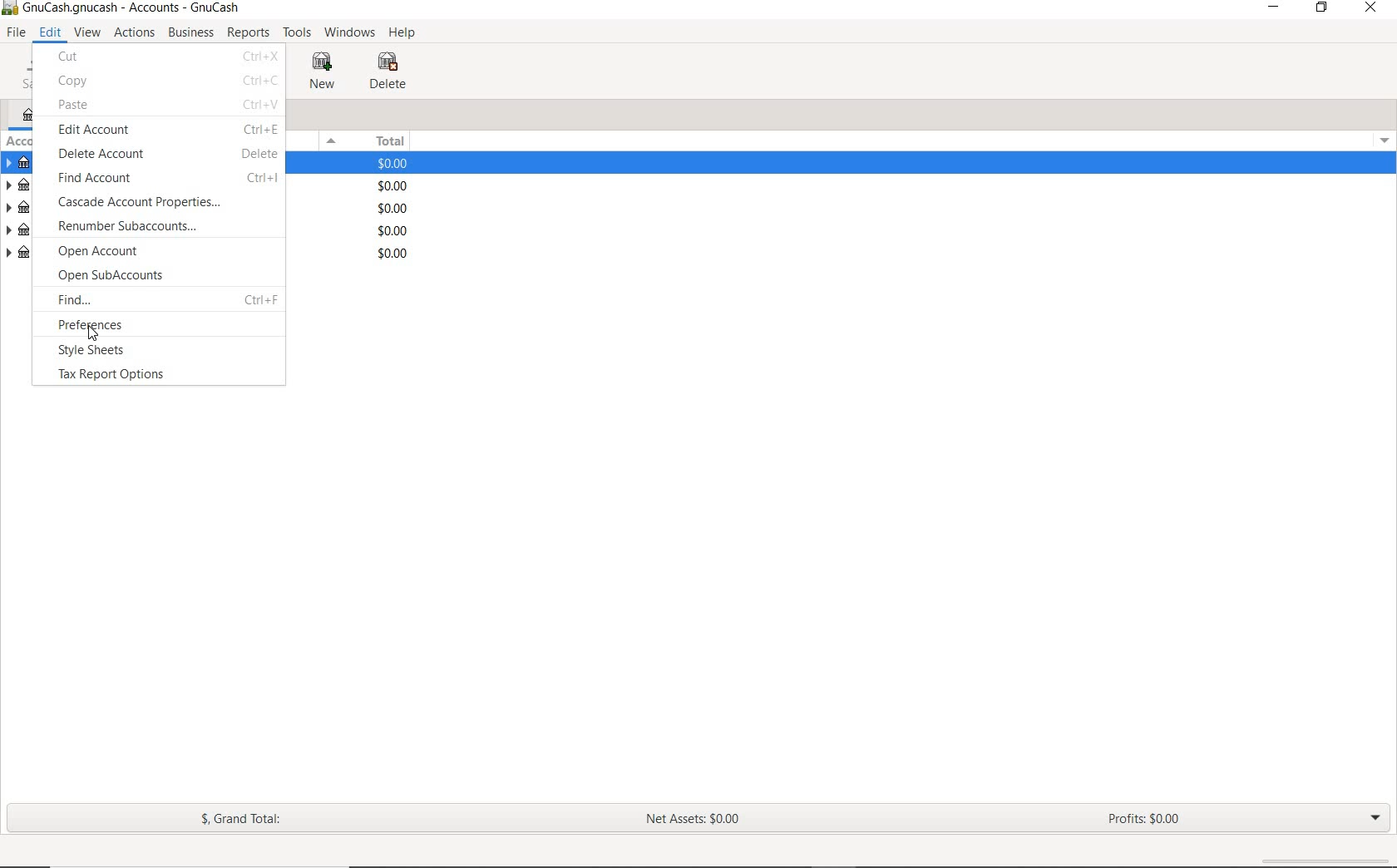 The width and height of the screenshot is (1397, 868). What do you see at coordinates (391, 142) in the screenshot?
I see `TOTAL` at bounding box center [391, 142].